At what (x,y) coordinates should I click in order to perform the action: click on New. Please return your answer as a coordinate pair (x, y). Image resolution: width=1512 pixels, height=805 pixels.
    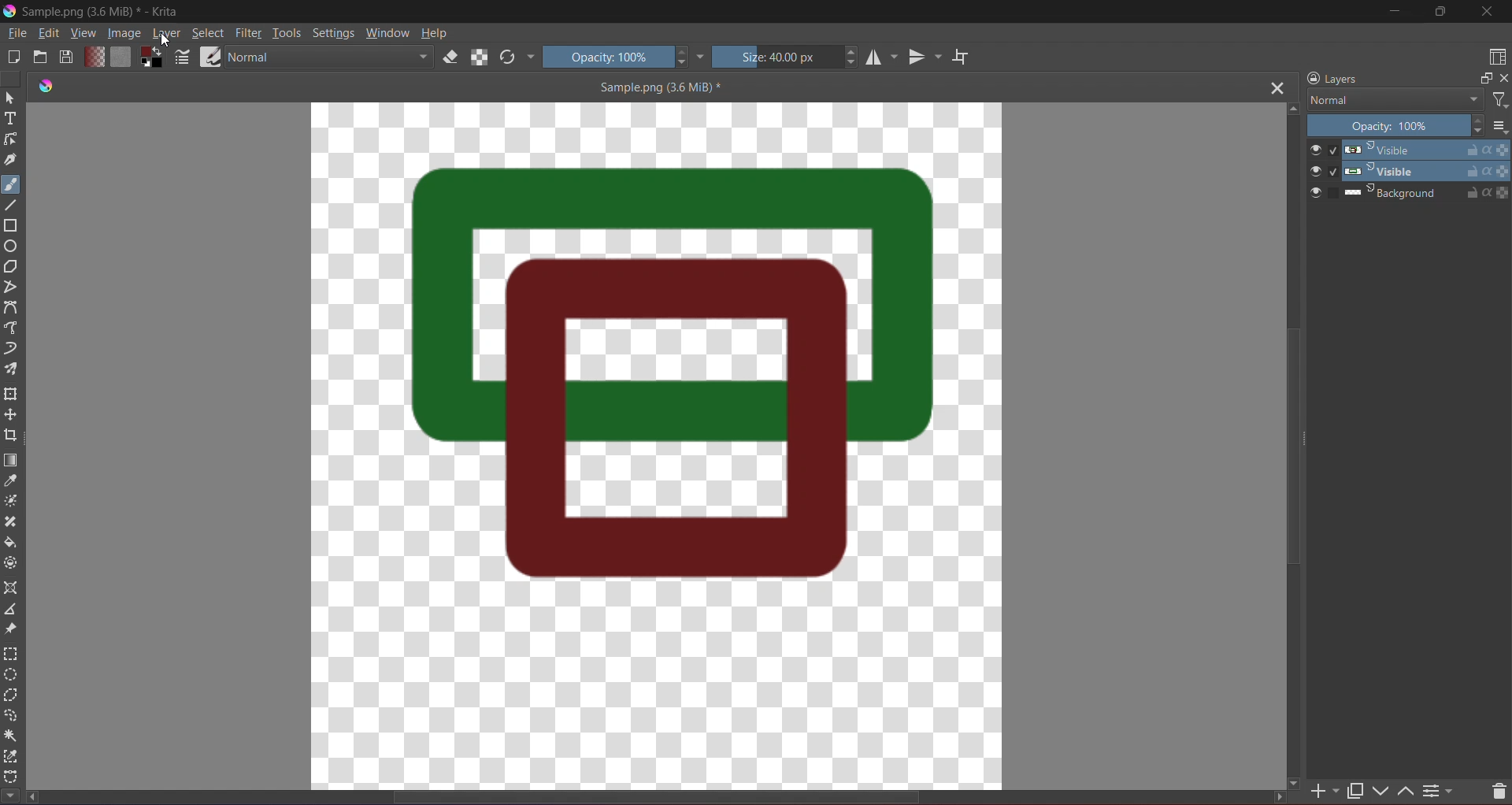
    Looking at the image, I should click on (14, 56).